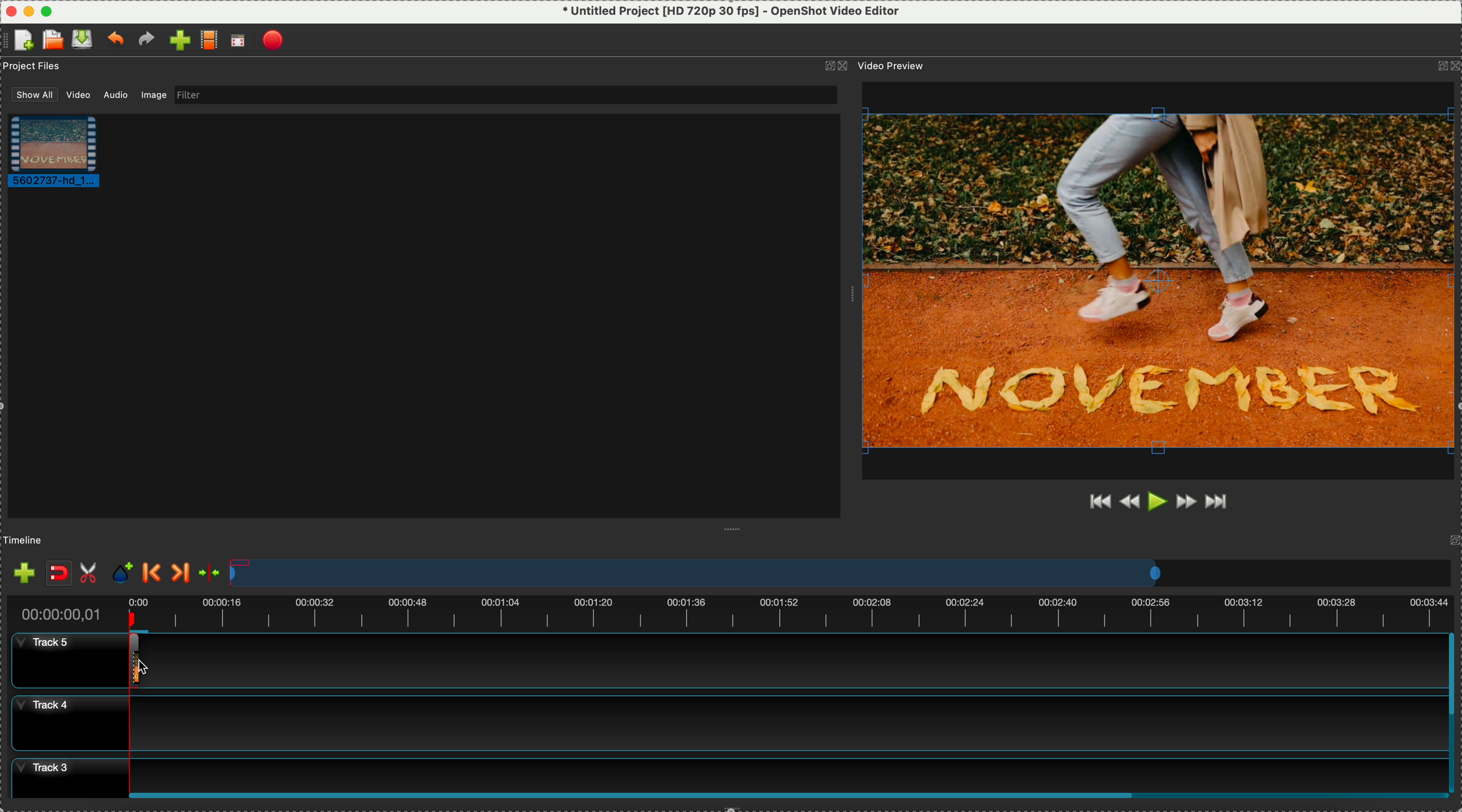 Image resolution: width=1462 pixels, height=812 pixels. Describe the element at coordinates (30, 94) in the screenshot. I see `show all` at that location.